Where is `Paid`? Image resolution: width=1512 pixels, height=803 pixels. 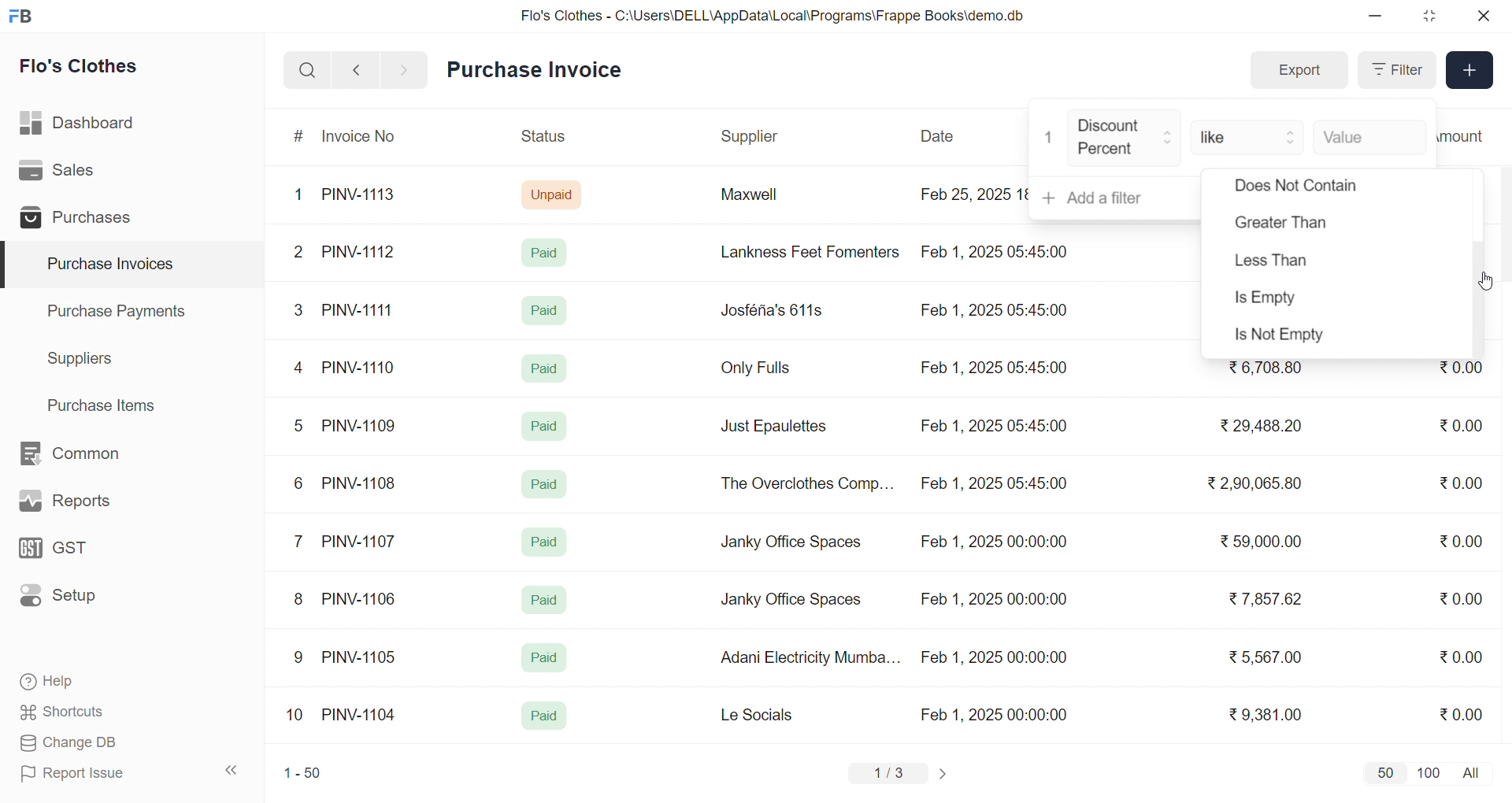 Paid is located at coordinates (543, 658).